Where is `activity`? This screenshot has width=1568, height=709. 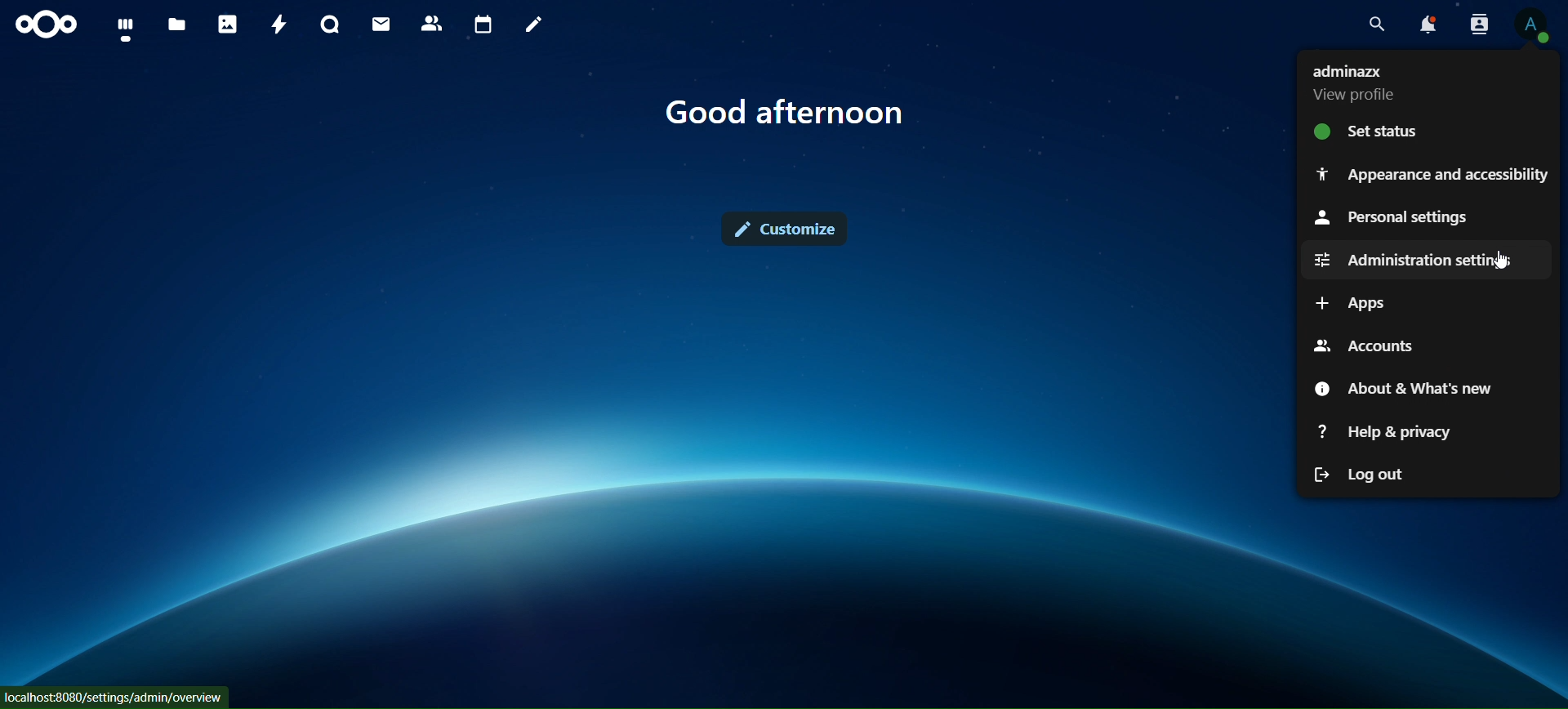 activity is located at coordinates (275, 24).